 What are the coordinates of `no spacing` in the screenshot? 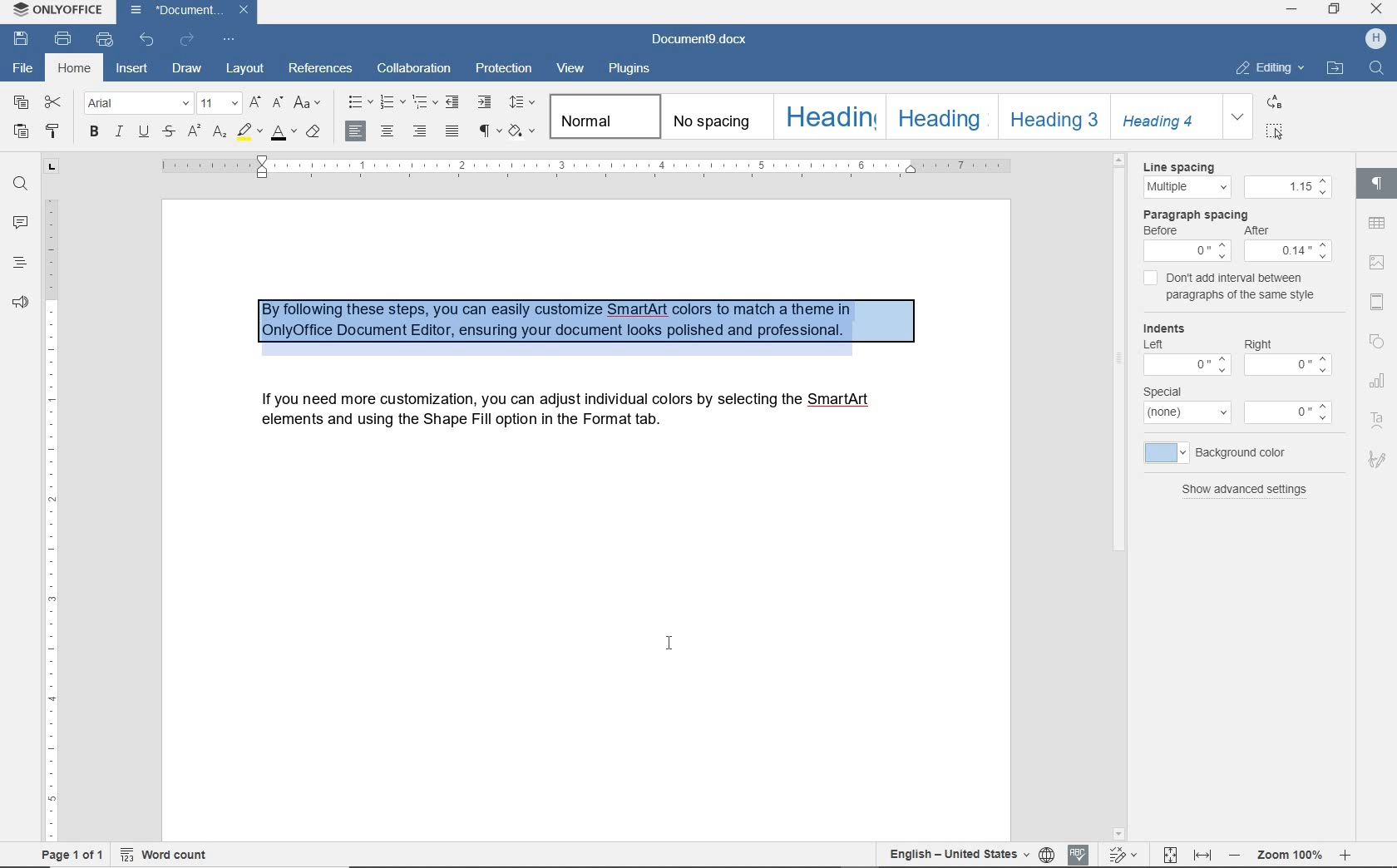 It's located at (713, 118).